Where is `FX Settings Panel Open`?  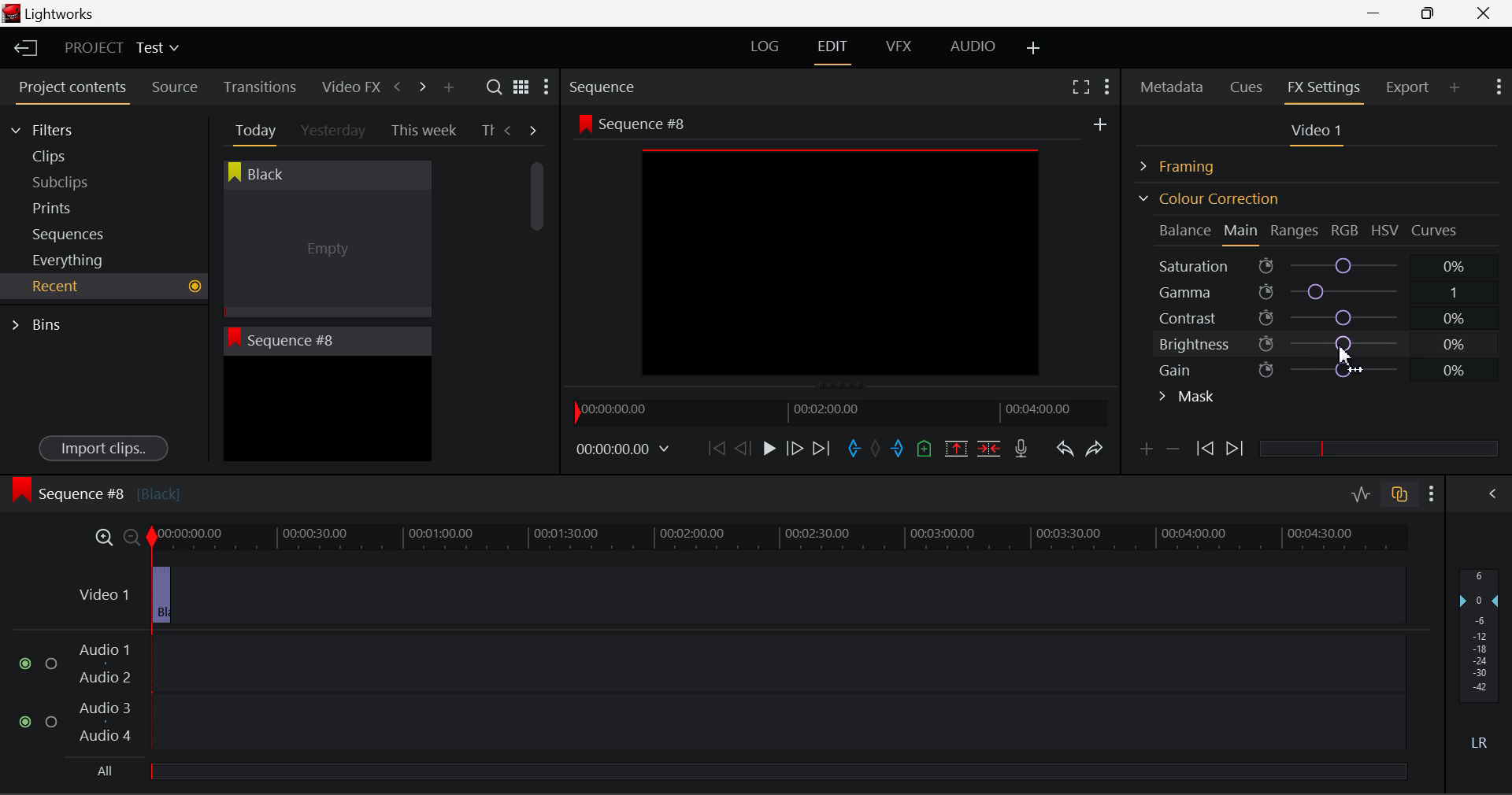
FX Settings Panel Open is located at coordinates (1325, 89).